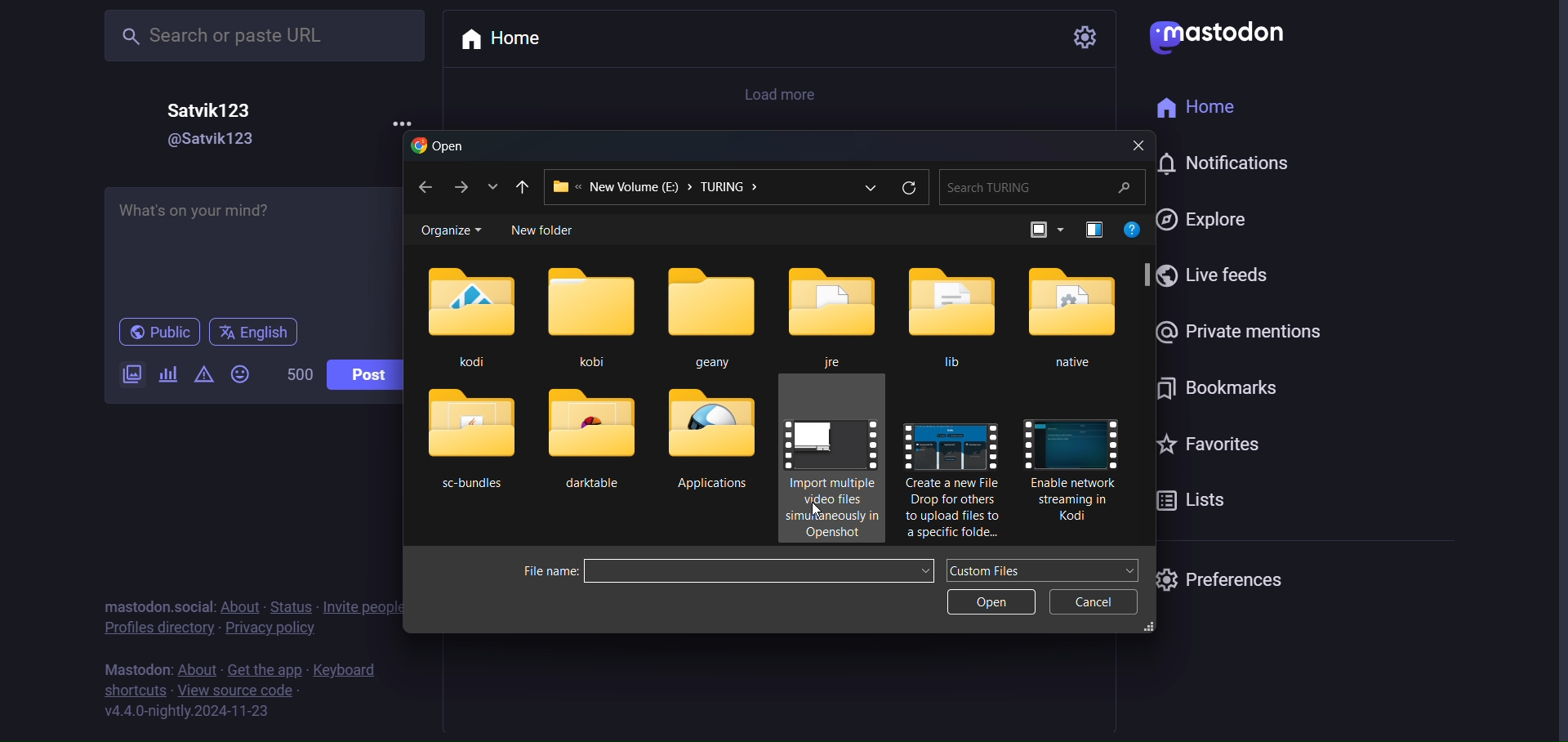 The width and height of the screenshot is (1568, 742). I want to click on sc-bundles, so click(470, 442).